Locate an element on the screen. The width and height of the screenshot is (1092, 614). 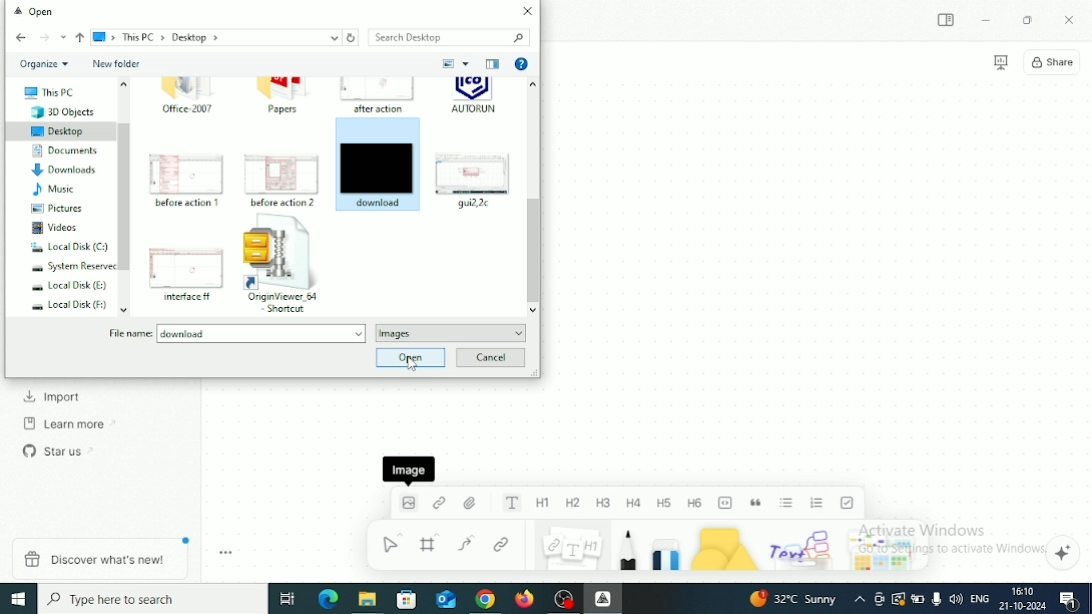
Vertical scrollbar is located at coordinates (533, 249).